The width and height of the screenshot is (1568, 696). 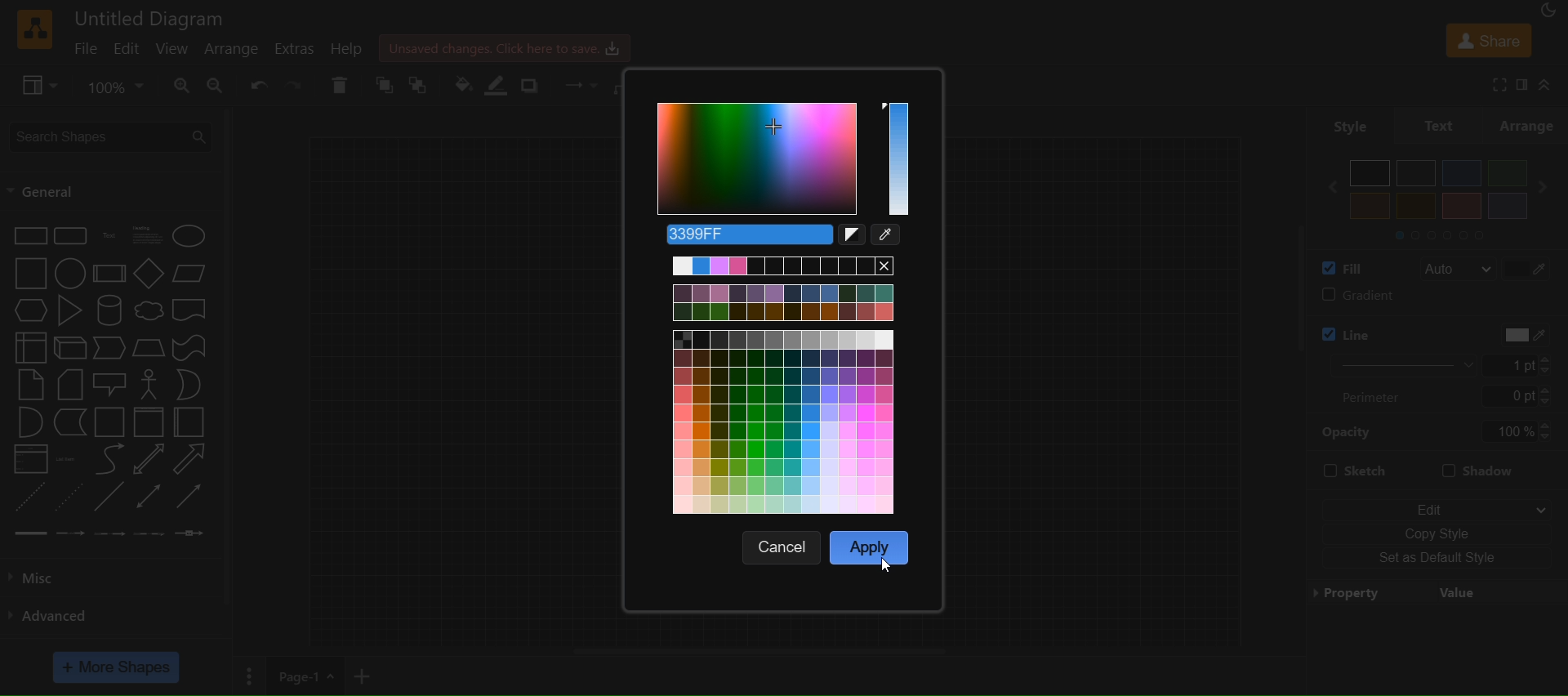 I want to click on cencle, so click(x=785, y=547).